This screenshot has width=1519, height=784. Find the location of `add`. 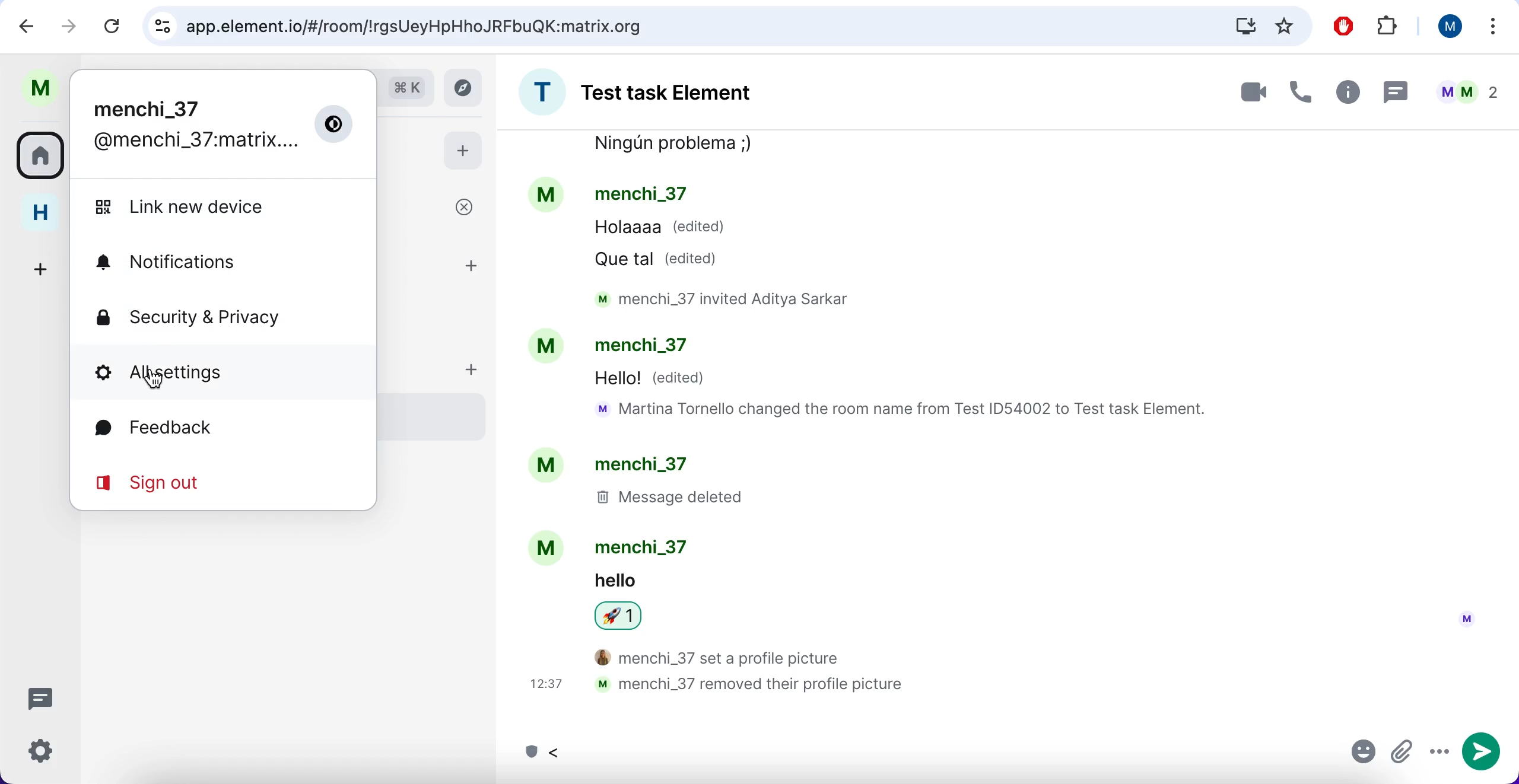

add is located at coordinates (478, 374).